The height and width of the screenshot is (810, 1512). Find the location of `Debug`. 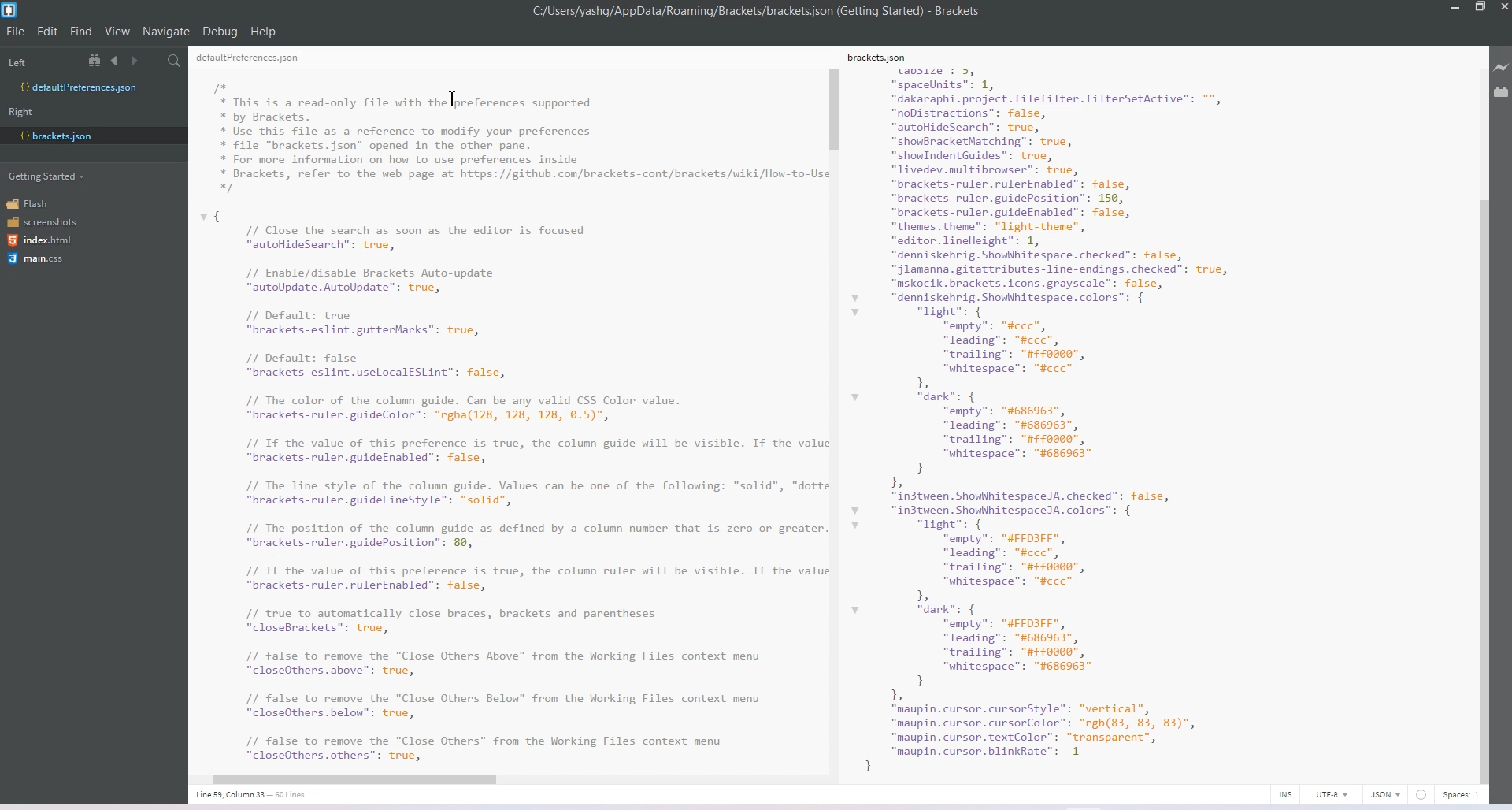

Debug is located at coordinates (220, 31).